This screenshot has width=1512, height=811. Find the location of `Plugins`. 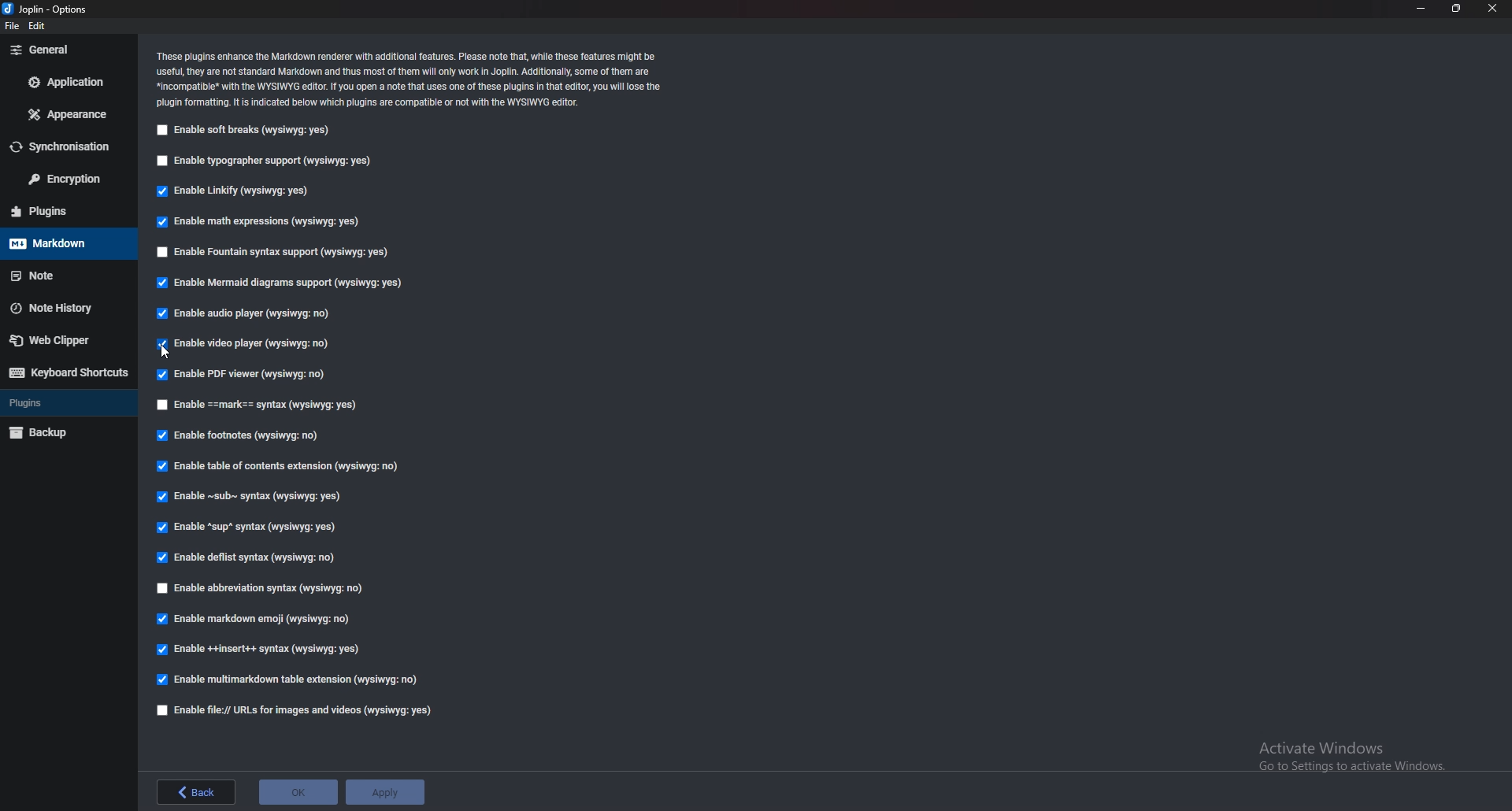

Plugins is located at coordinates (60, 212).